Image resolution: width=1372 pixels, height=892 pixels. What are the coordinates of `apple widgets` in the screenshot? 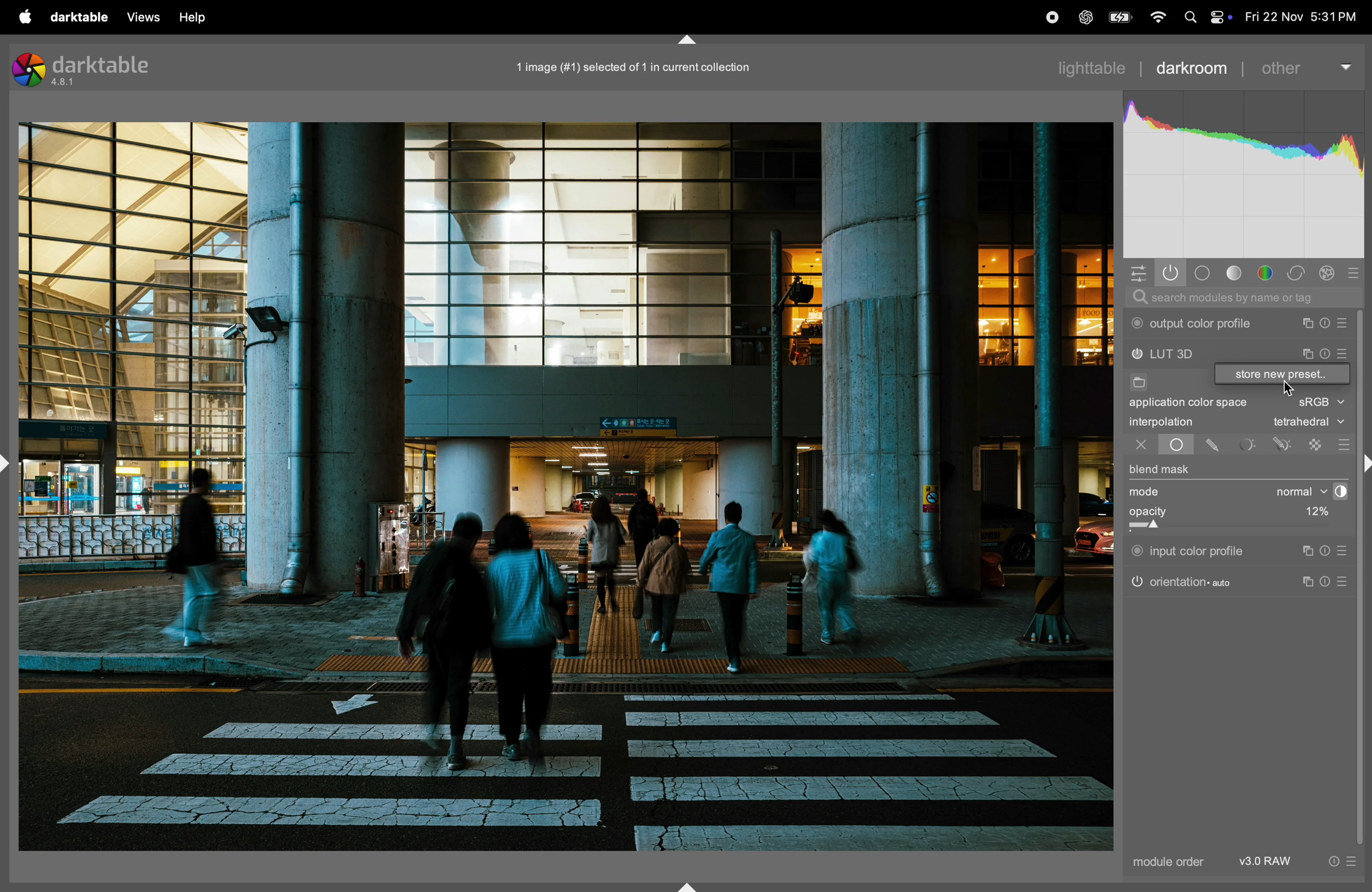 It's located at (1219, 17).